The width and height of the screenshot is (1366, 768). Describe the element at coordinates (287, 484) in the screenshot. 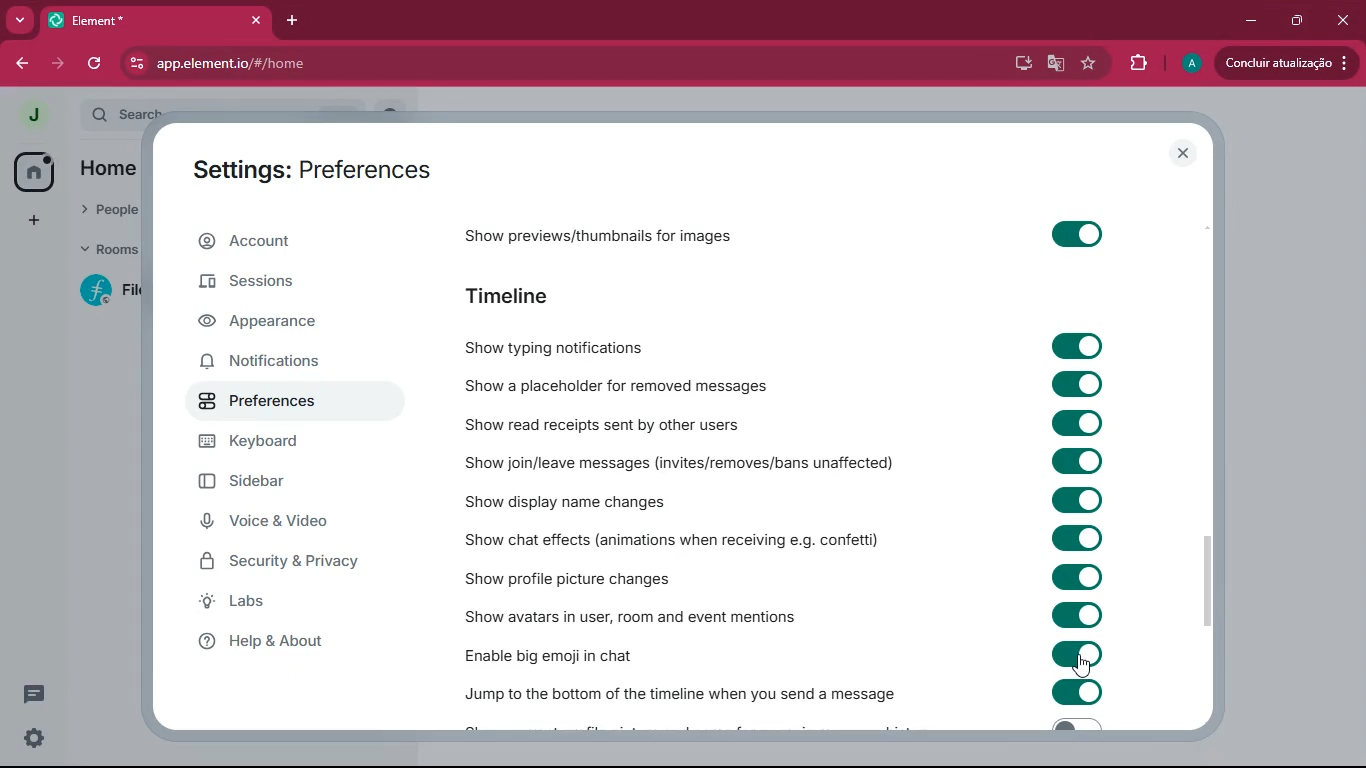

I see `sidebar` at that location.